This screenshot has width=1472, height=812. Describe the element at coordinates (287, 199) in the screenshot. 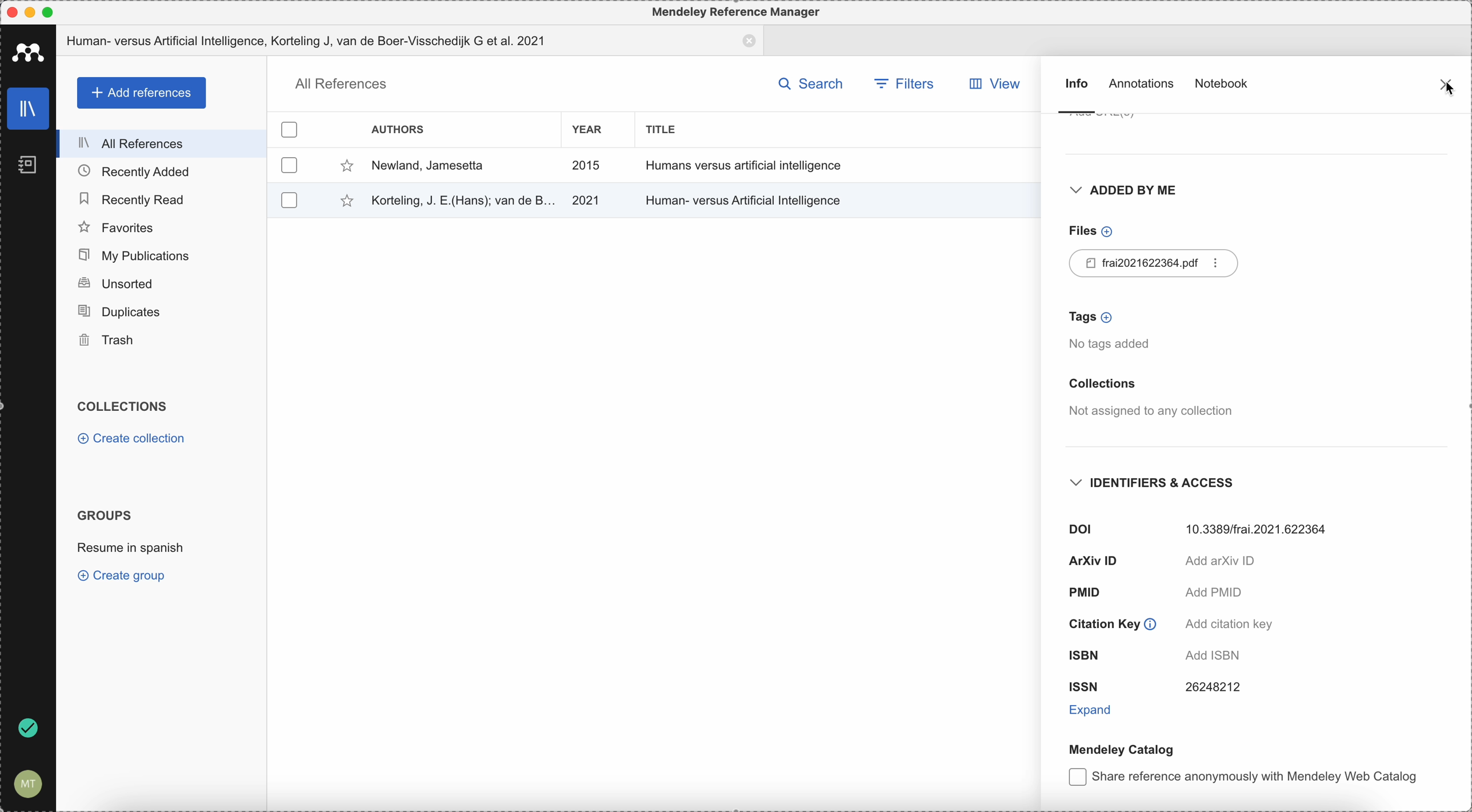

I see `checkbox` at that location.